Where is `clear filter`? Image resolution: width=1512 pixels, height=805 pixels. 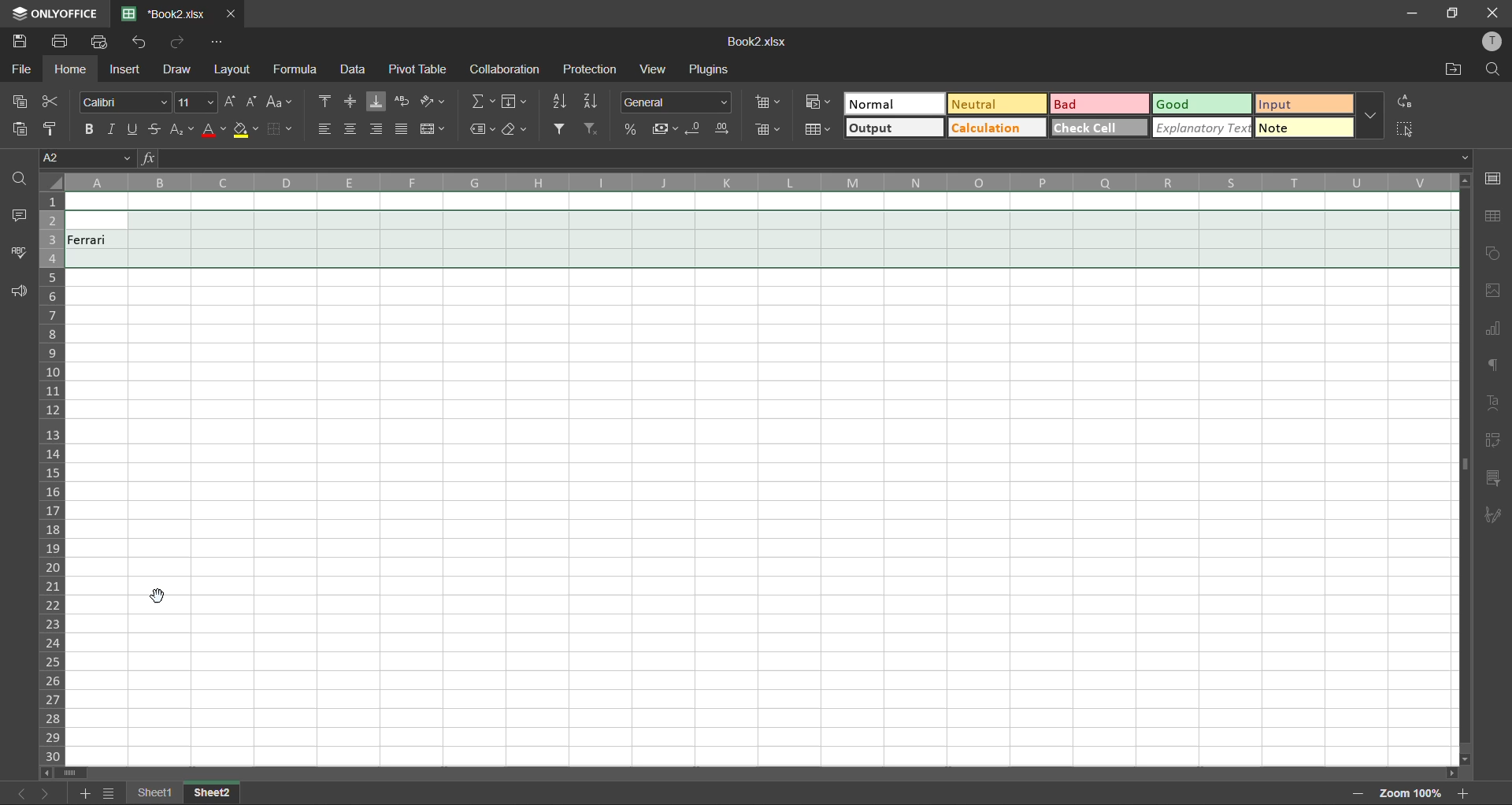
clear filter is located at coordinates (591, 130).